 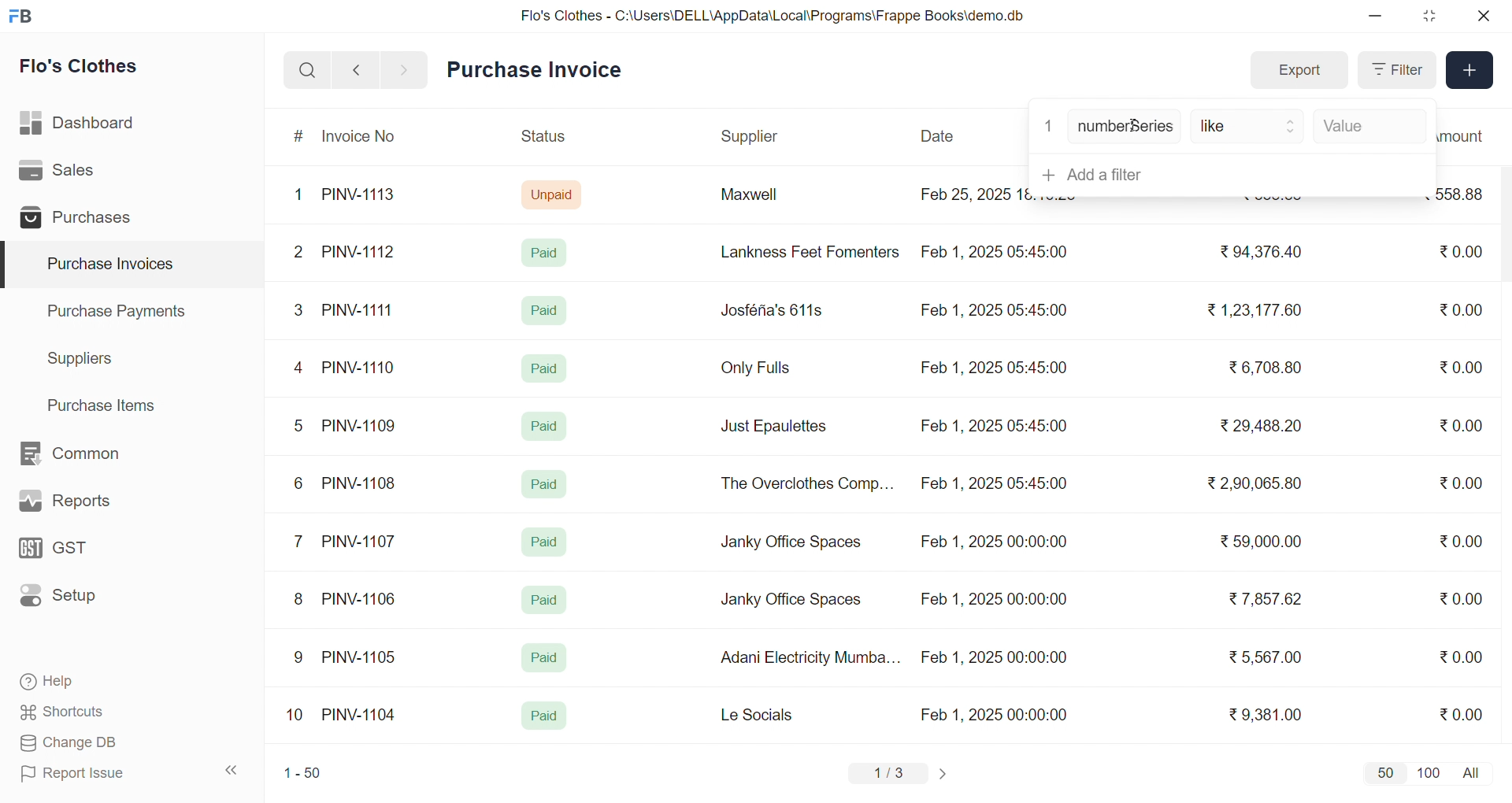 I want to click on Feb 25, 2025 18:16:25, so click(x=972, y=194).